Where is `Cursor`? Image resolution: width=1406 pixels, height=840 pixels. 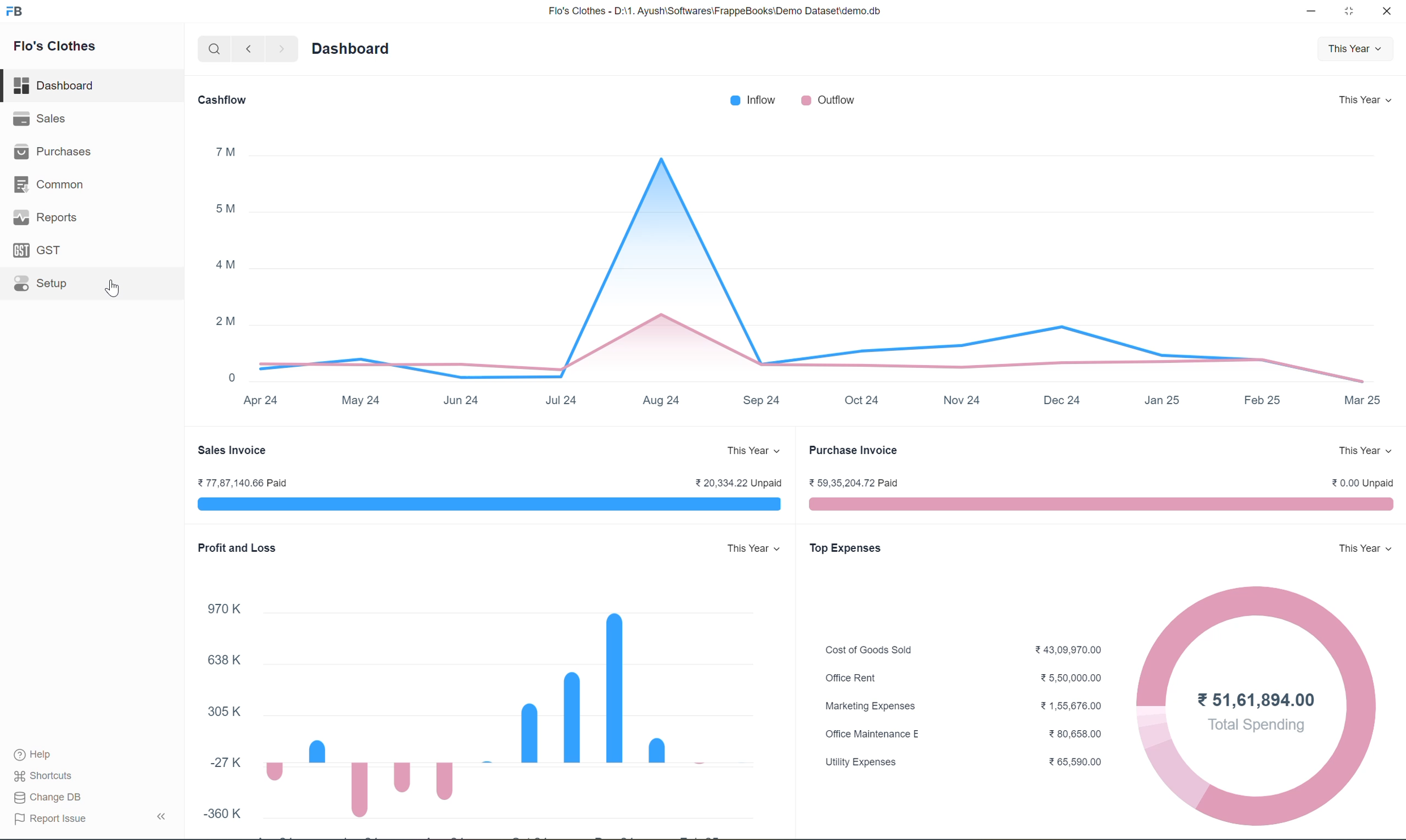 Cursor is located at coordinates (112, 290).